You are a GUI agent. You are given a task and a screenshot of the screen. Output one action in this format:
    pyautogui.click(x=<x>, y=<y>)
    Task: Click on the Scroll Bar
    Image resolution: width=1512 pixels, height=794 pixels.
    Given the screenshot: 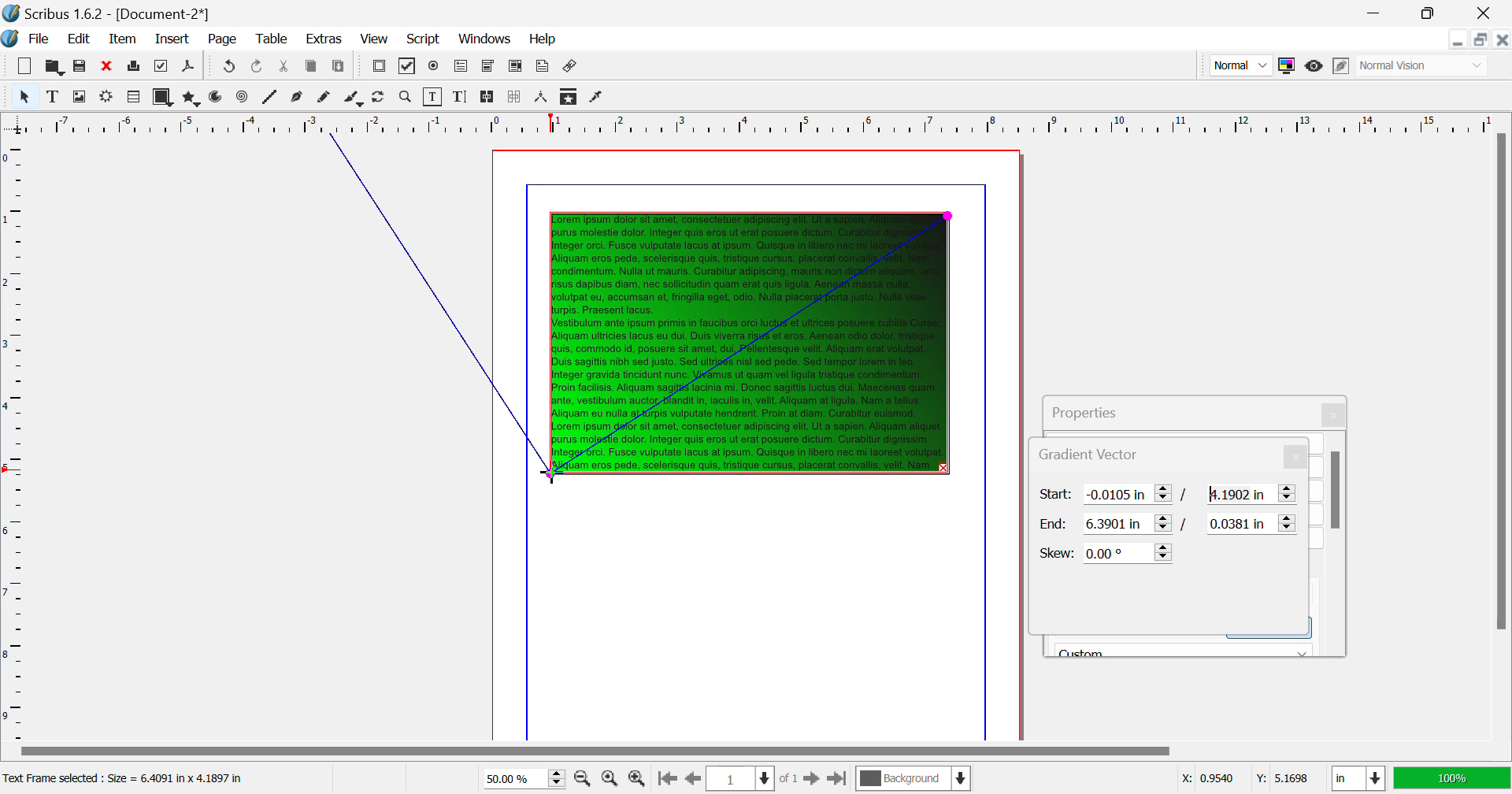 What is the action you would take?
    pyautogui.click(x=1336, y=544)
    